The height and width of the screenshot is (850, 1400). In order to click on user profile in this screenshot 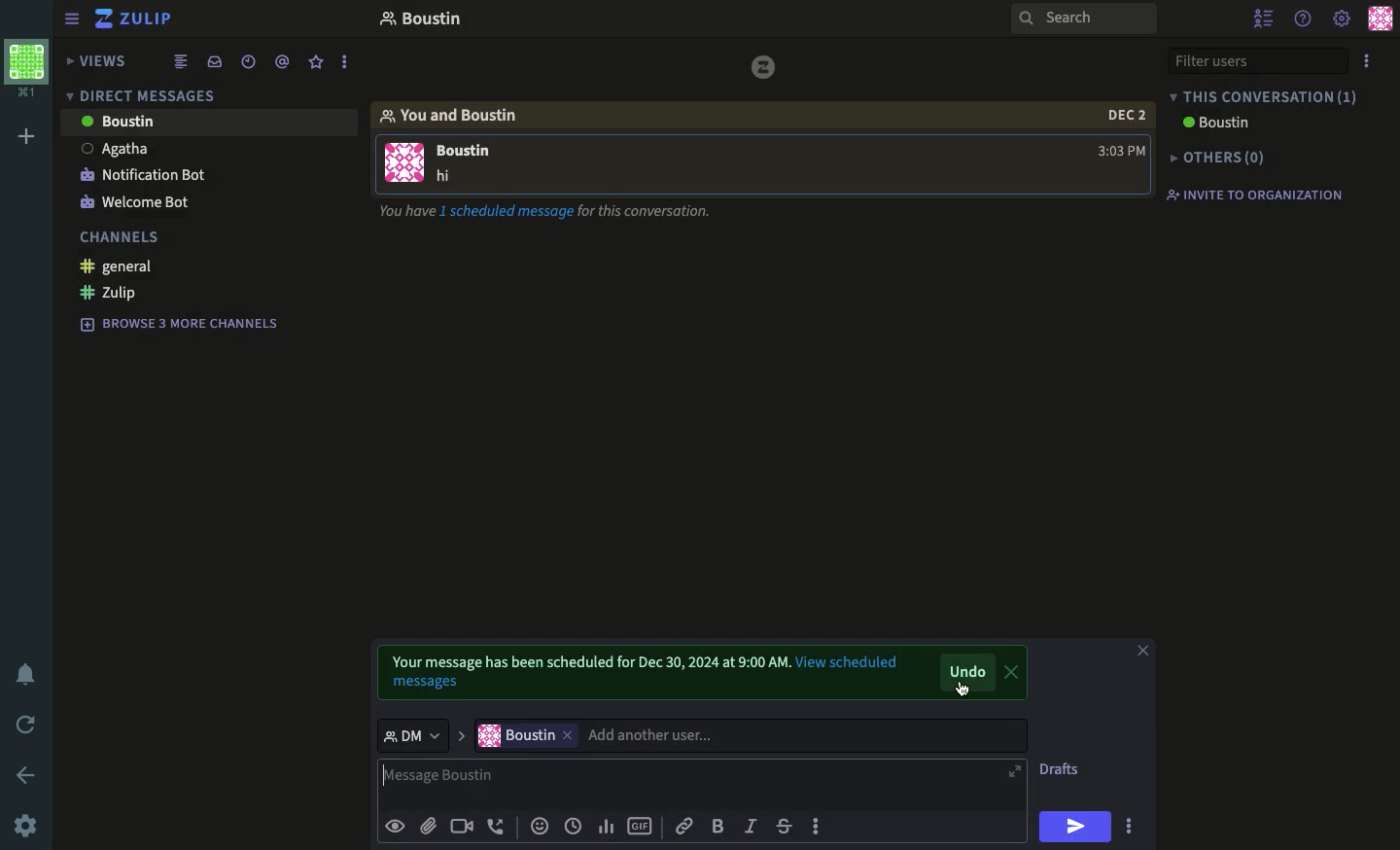, I will do `click(403, 162)`.